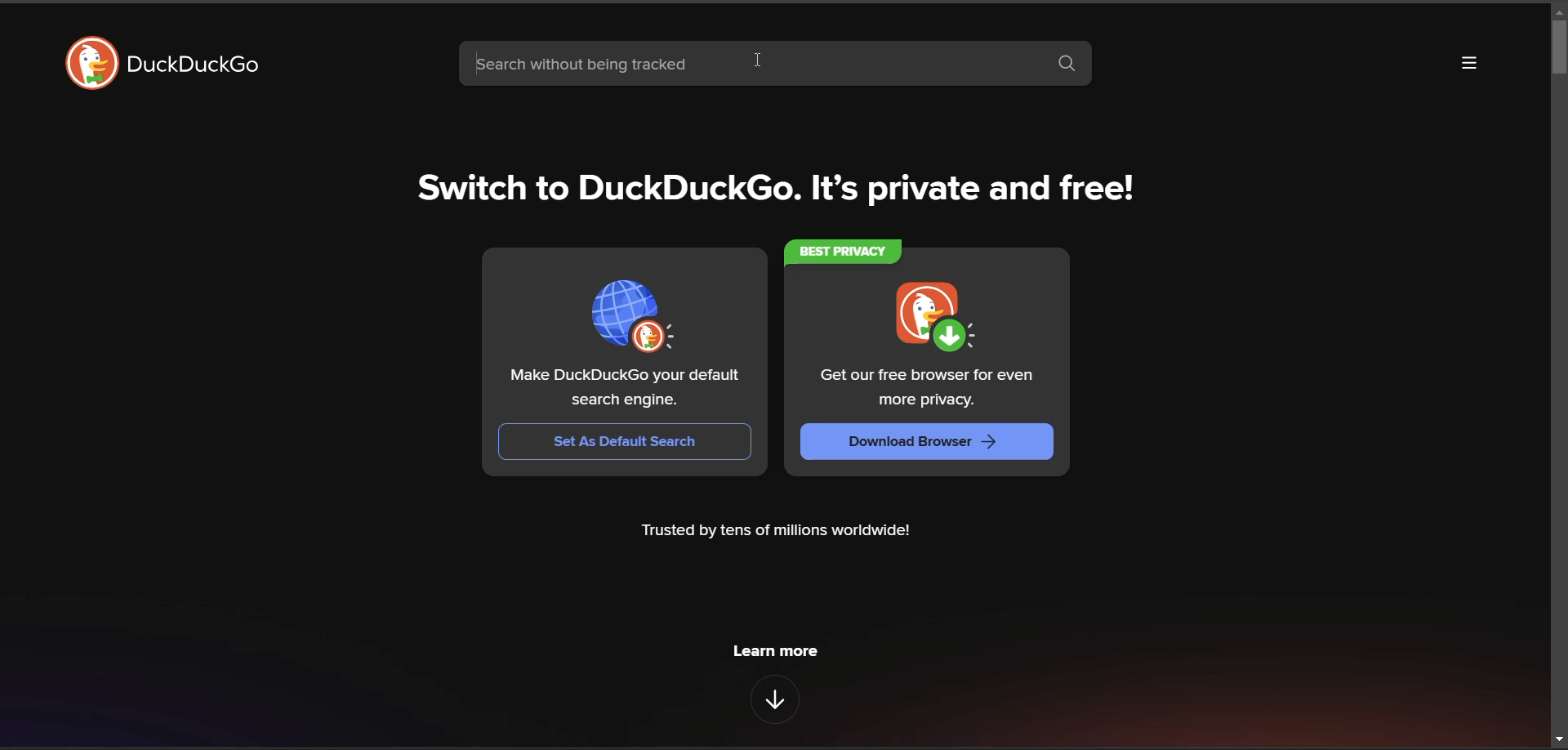 The height and width of the screenshot is (750, 1568). What do you see at coordinates (840, 252) in the screenshot?
I see `BEST PRIVACY` at bounding box center [840, 252].